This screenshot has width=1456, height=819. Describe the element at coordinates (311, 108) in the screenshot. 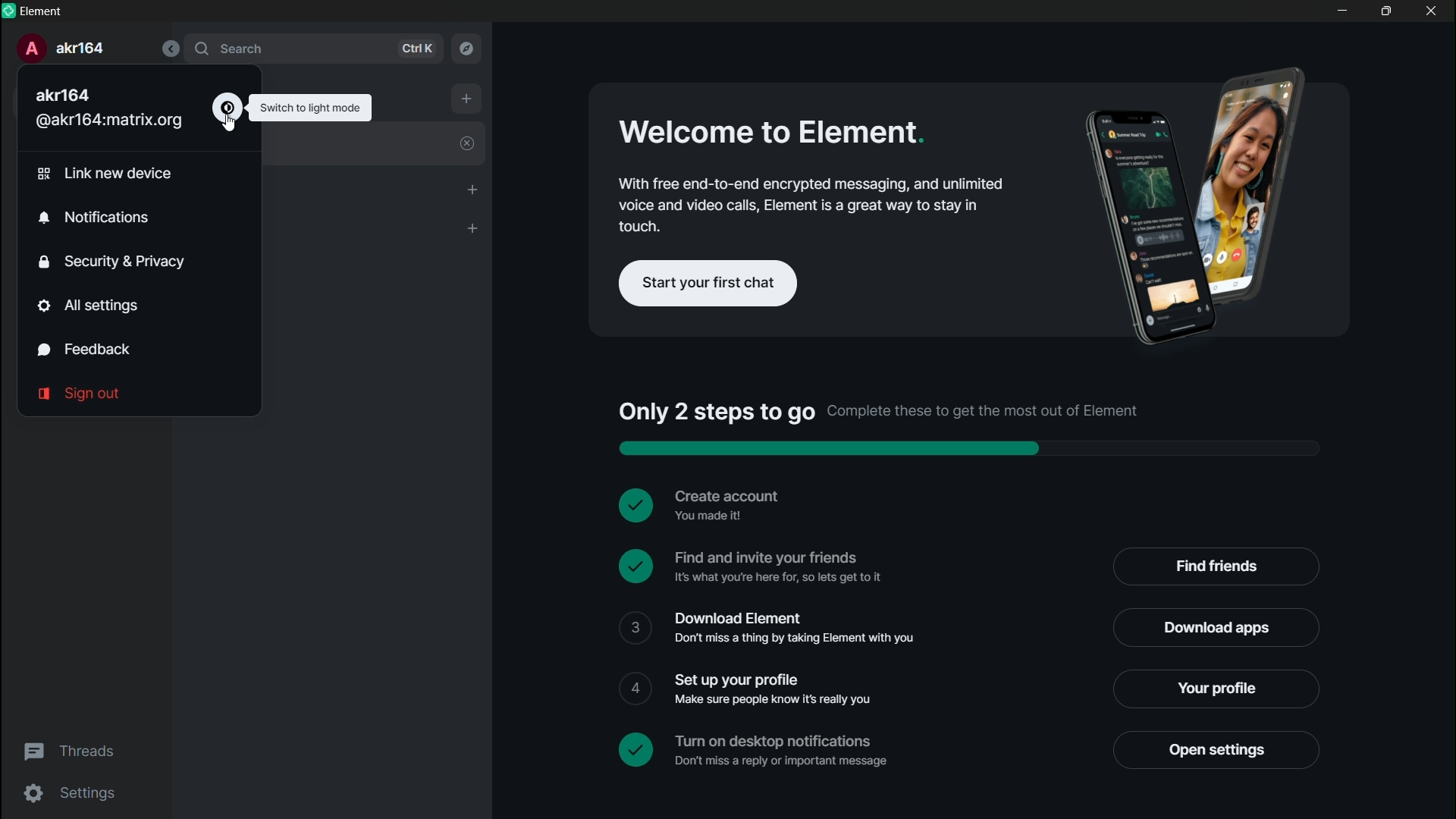

I see `switch to light mode pop up` at that location.